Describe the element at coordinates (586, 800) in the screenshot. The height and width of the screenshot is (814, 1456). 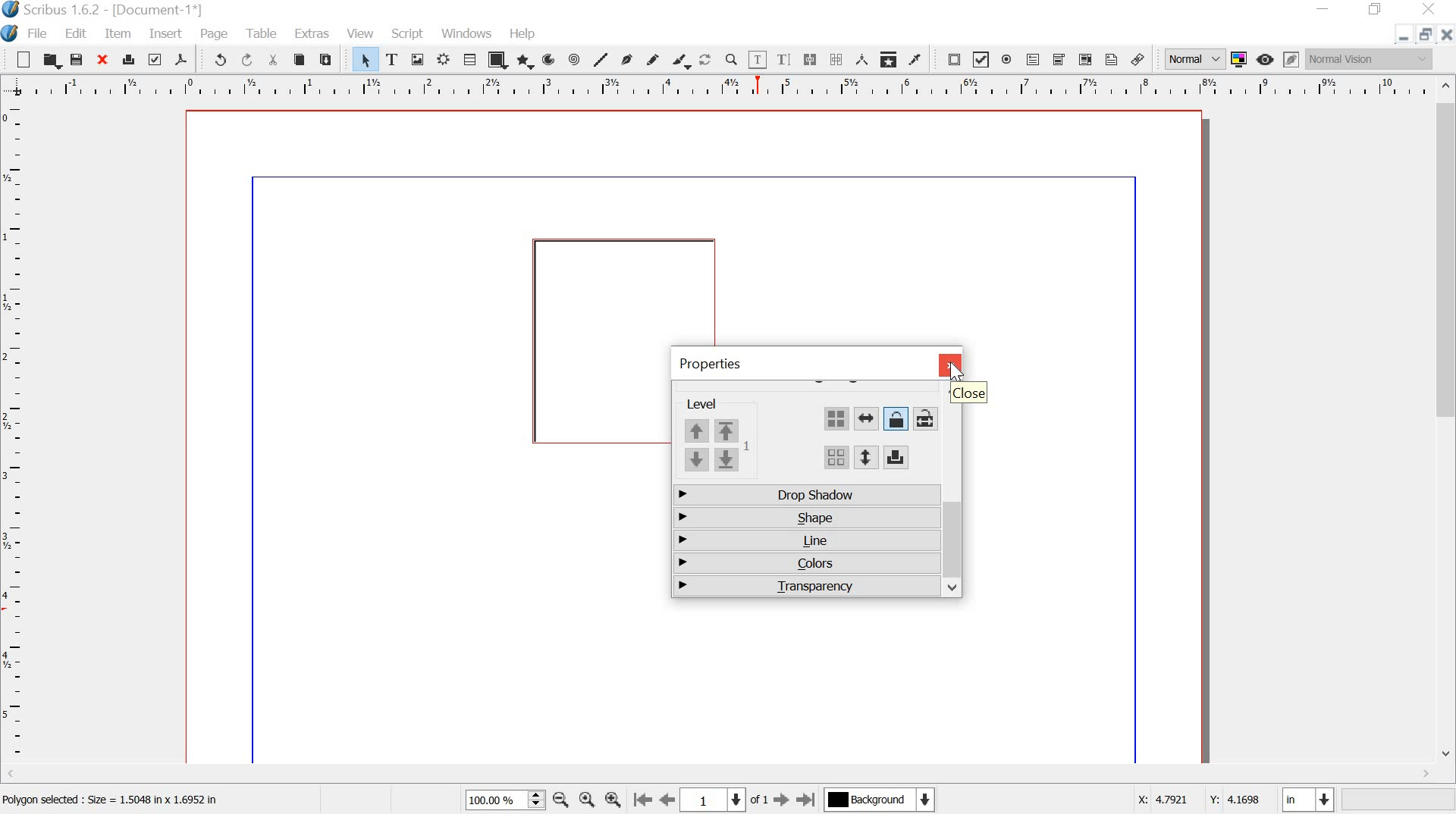
I see `zoom to` at that location.